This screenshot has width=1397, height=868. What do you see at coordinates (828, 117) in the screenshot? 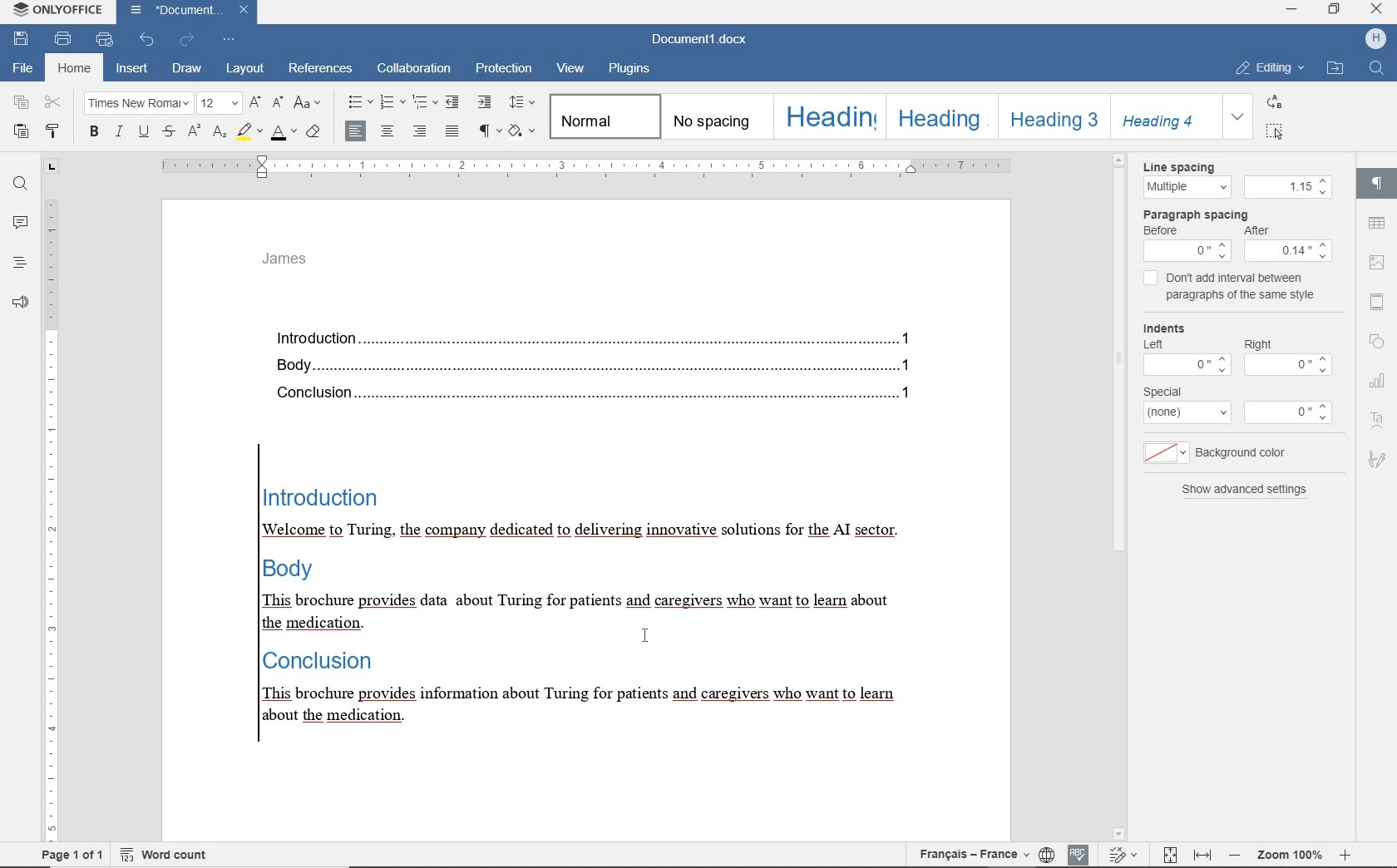
I see `heading 1` at bounding box center [828, 117].